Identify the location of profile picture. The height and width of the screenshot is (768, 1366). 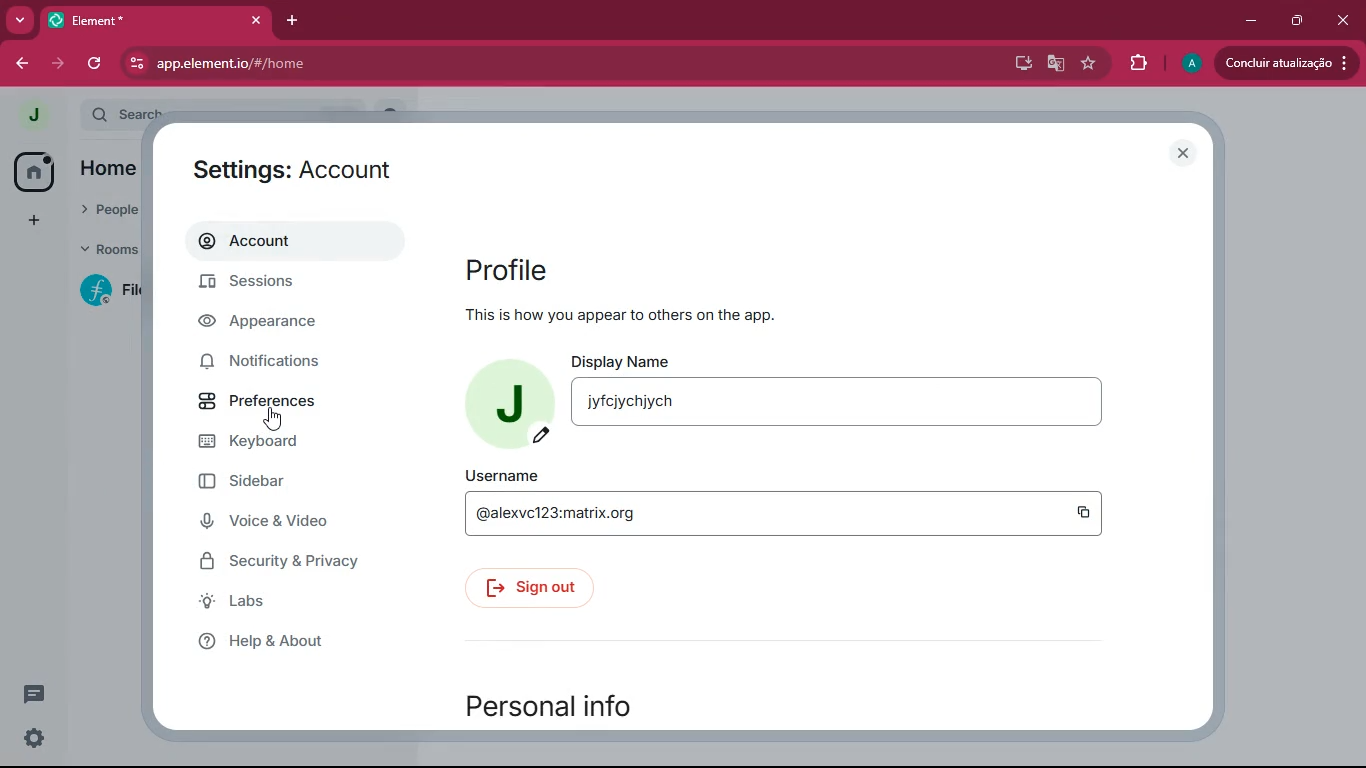
(27, 116).